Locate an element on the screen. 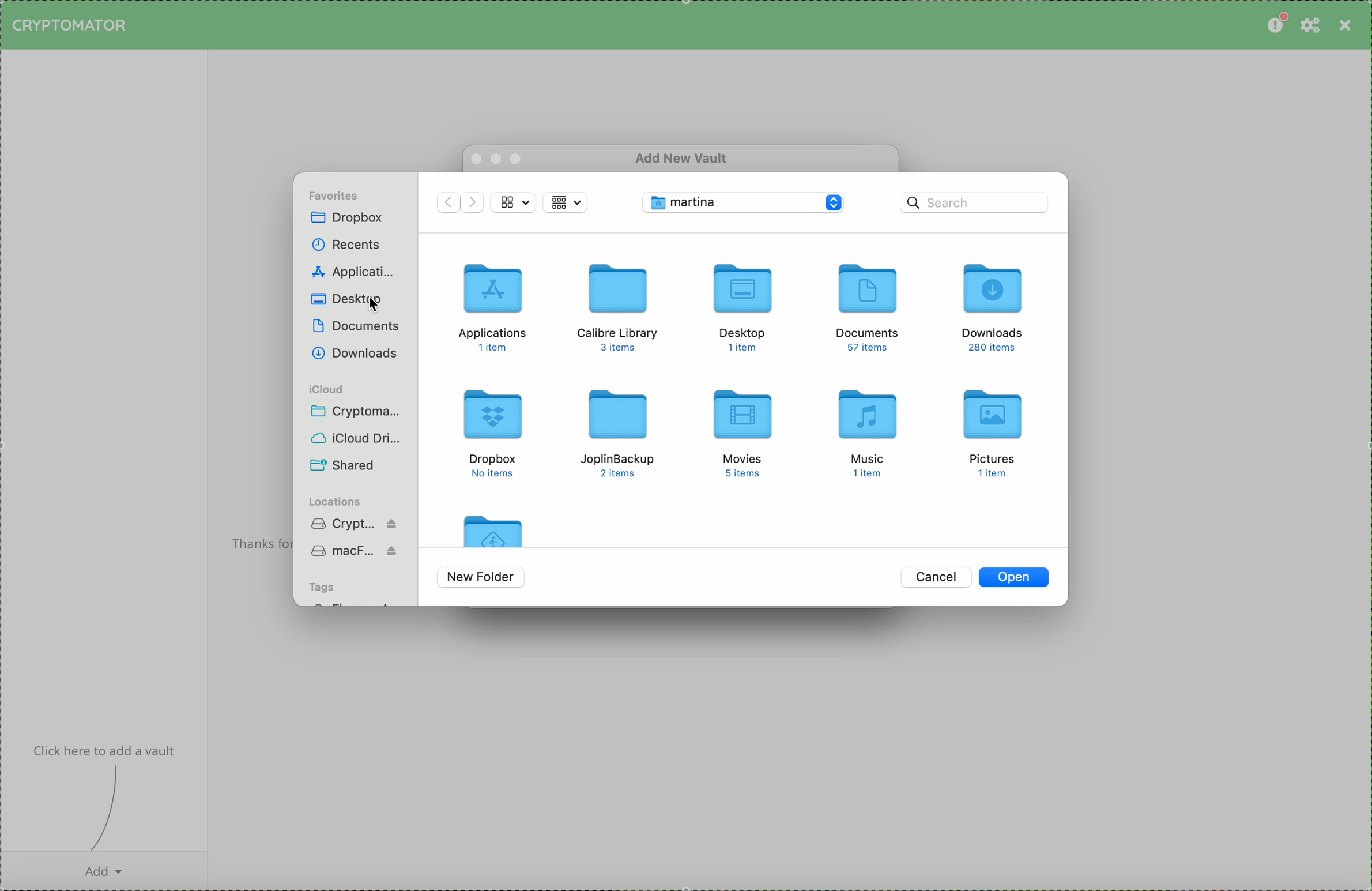  navigate back is located at coordinates (447, 202).